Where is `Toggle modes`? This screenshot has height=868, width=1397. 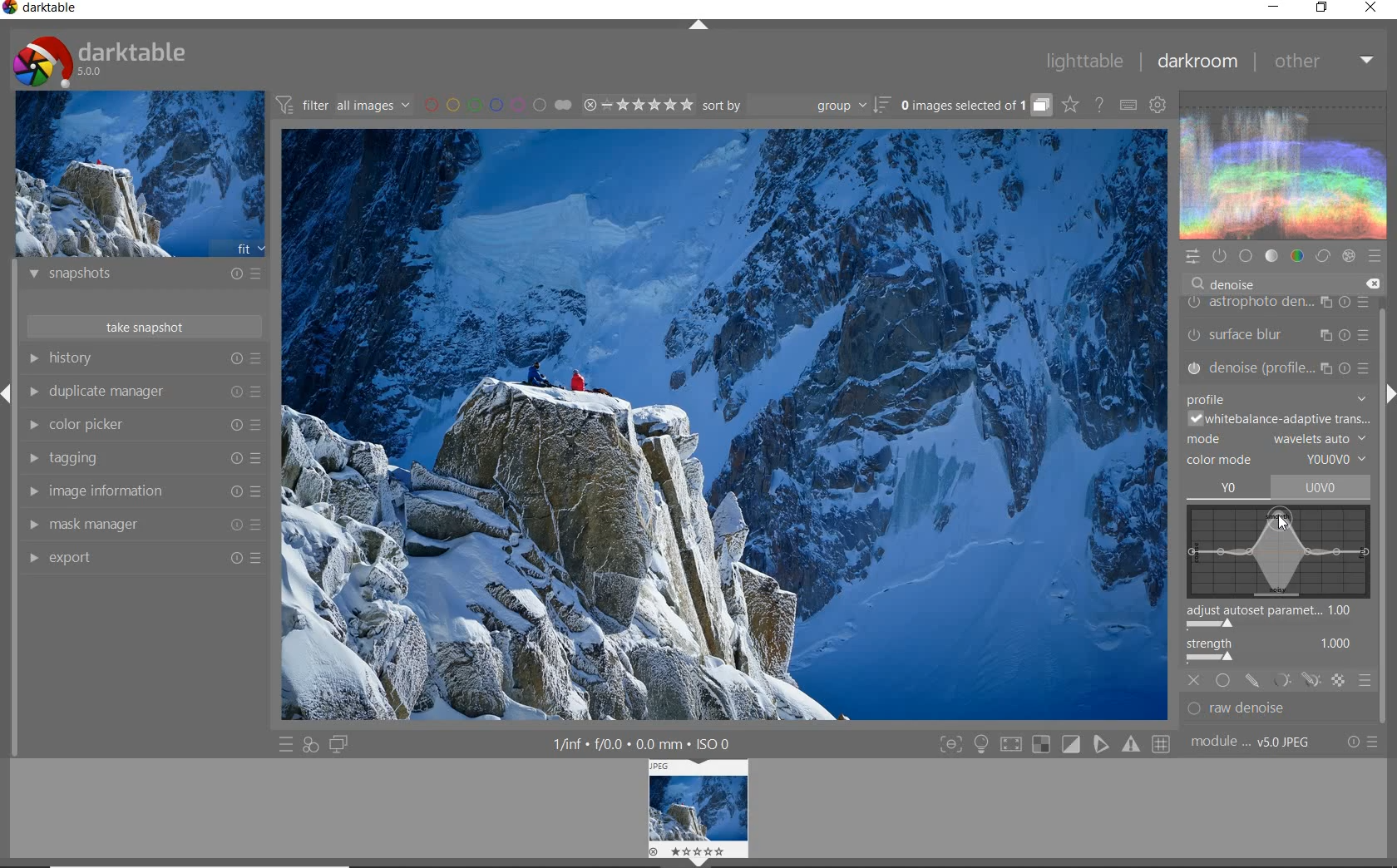
Toggle modes is located at coordinates (1054, 742).